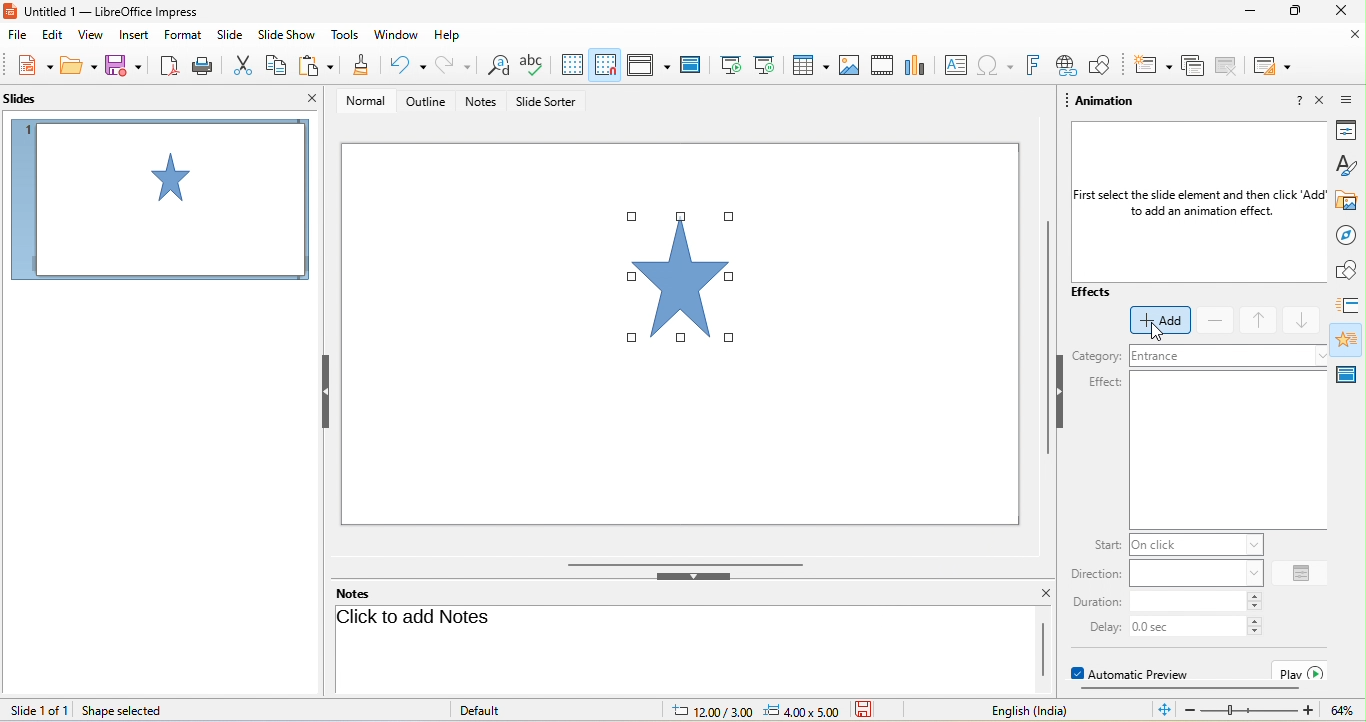  Describe the element at coordinates (1104, 383) in the screenshot. I see `effect` at that location.